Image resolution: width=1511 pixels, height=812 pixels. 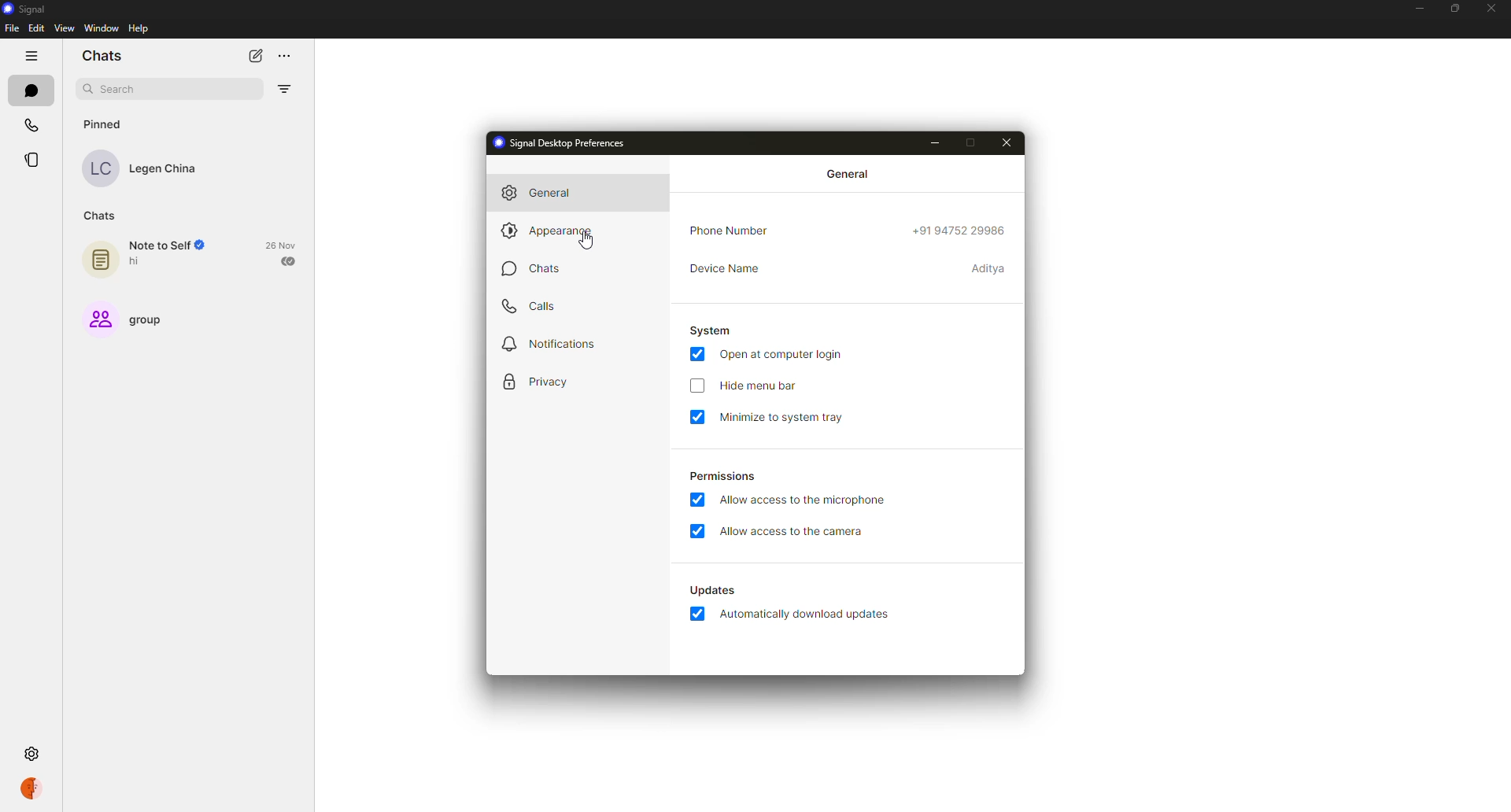 What do you see at coordinates (765, 386) in the screenshot?
I see `hide menu bar` at bounding box center [765, 386].